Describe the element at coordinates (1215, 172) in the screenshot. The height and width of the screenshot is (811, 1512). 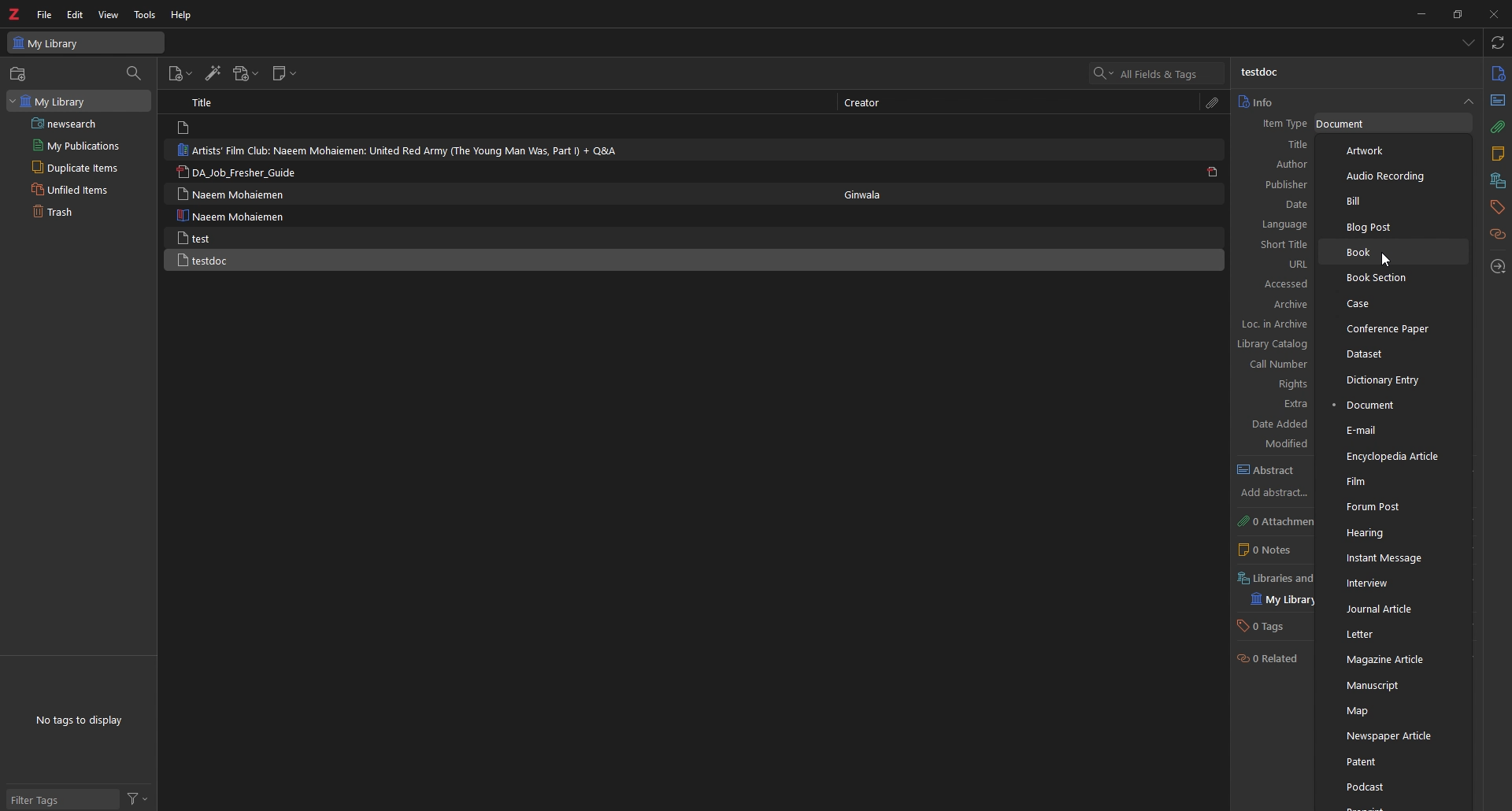
I see `pdf` at that location.